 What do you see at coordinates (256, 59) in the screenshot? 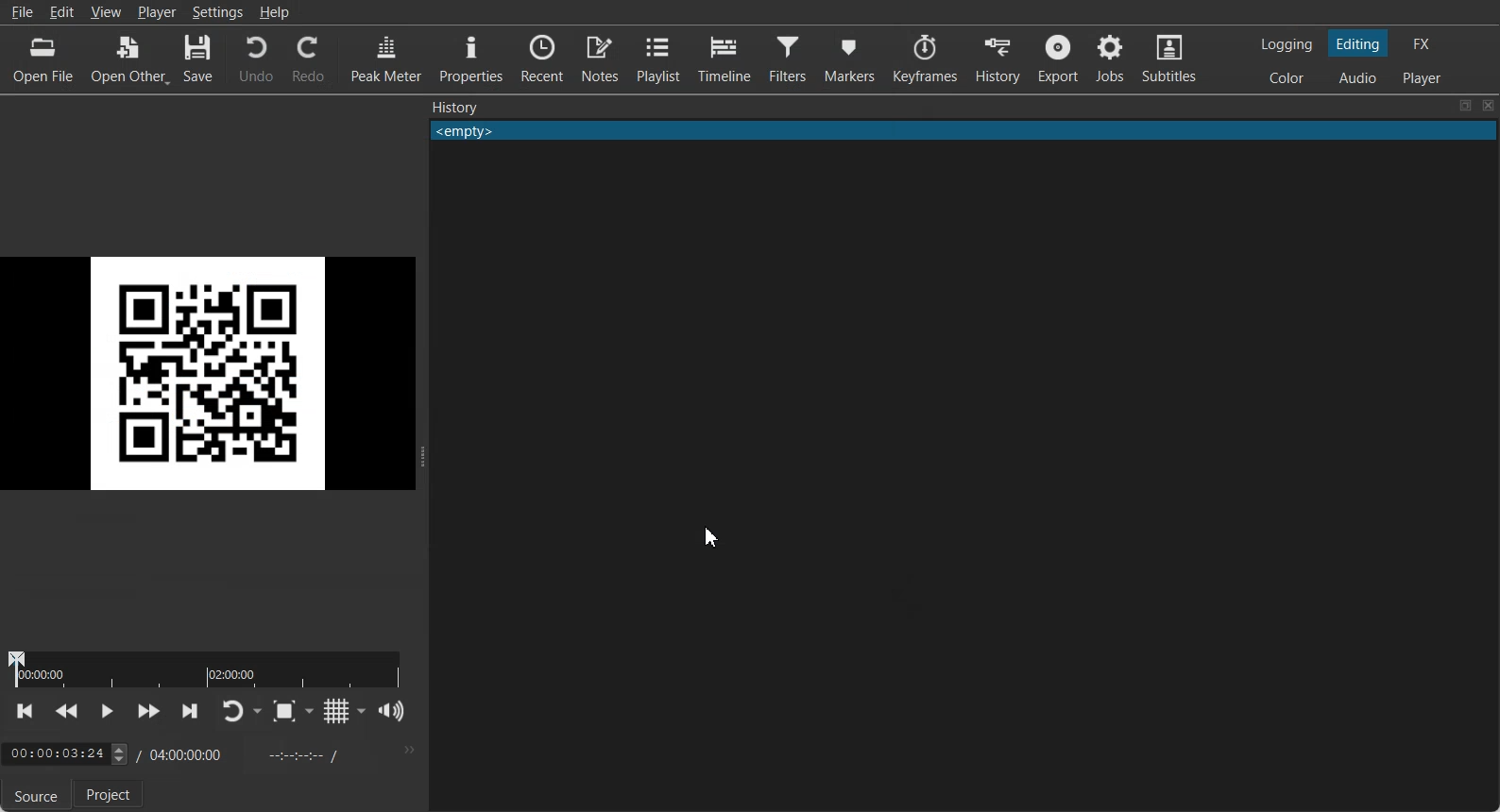
I see `Undo` at bounding box center [256, 59].